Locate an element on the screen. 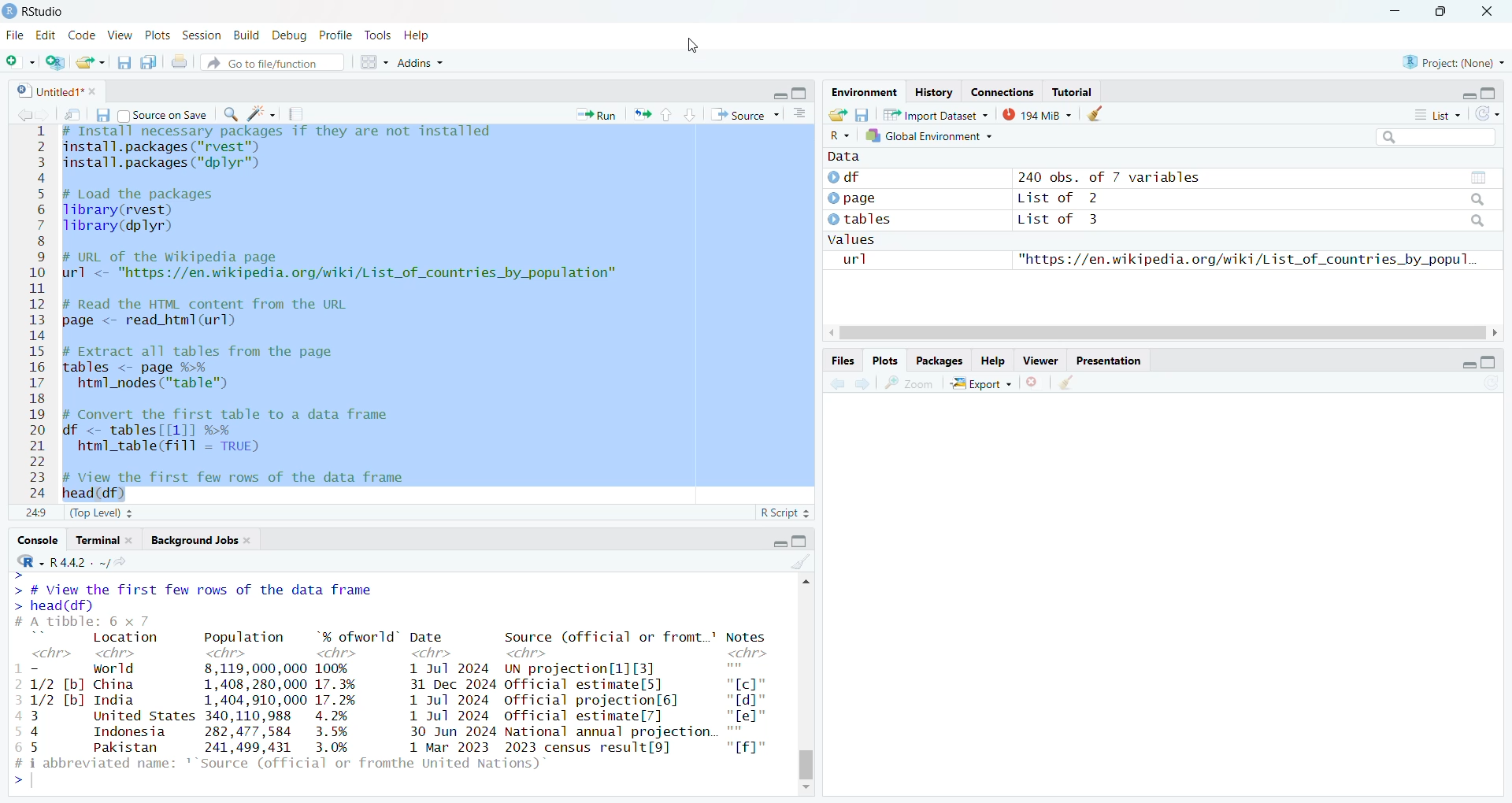  <chr>1 Jul 2024 31 Dec 2024 1 Jul 2024 1 Jul 2024 30 Jun 2024 1 Mar 2023 is located at coordinates (448, 701).